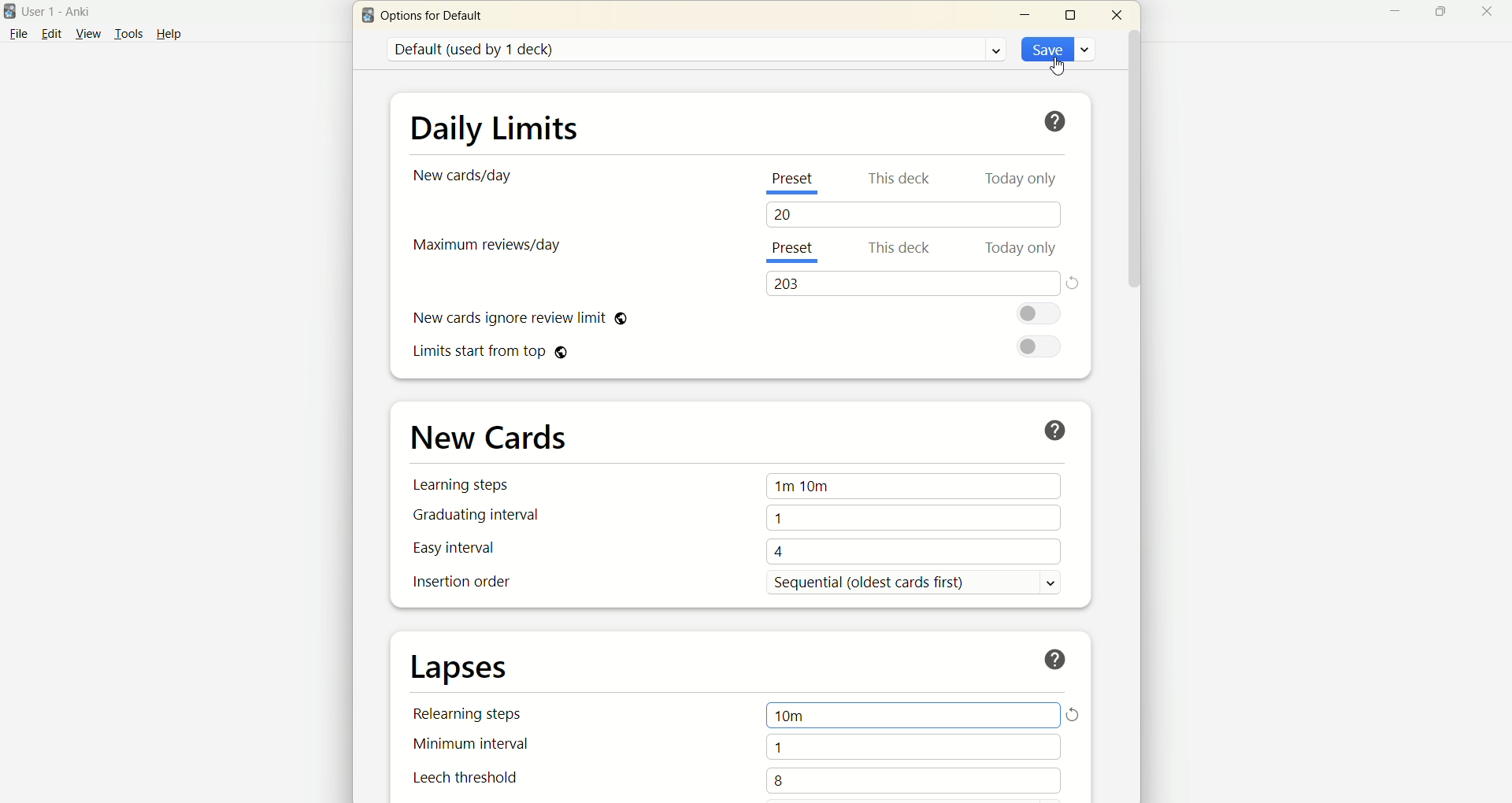  What do you see at coordinates (460, 583) in the screenshot?
I see `insertion order` at bounding box center [460, 583].